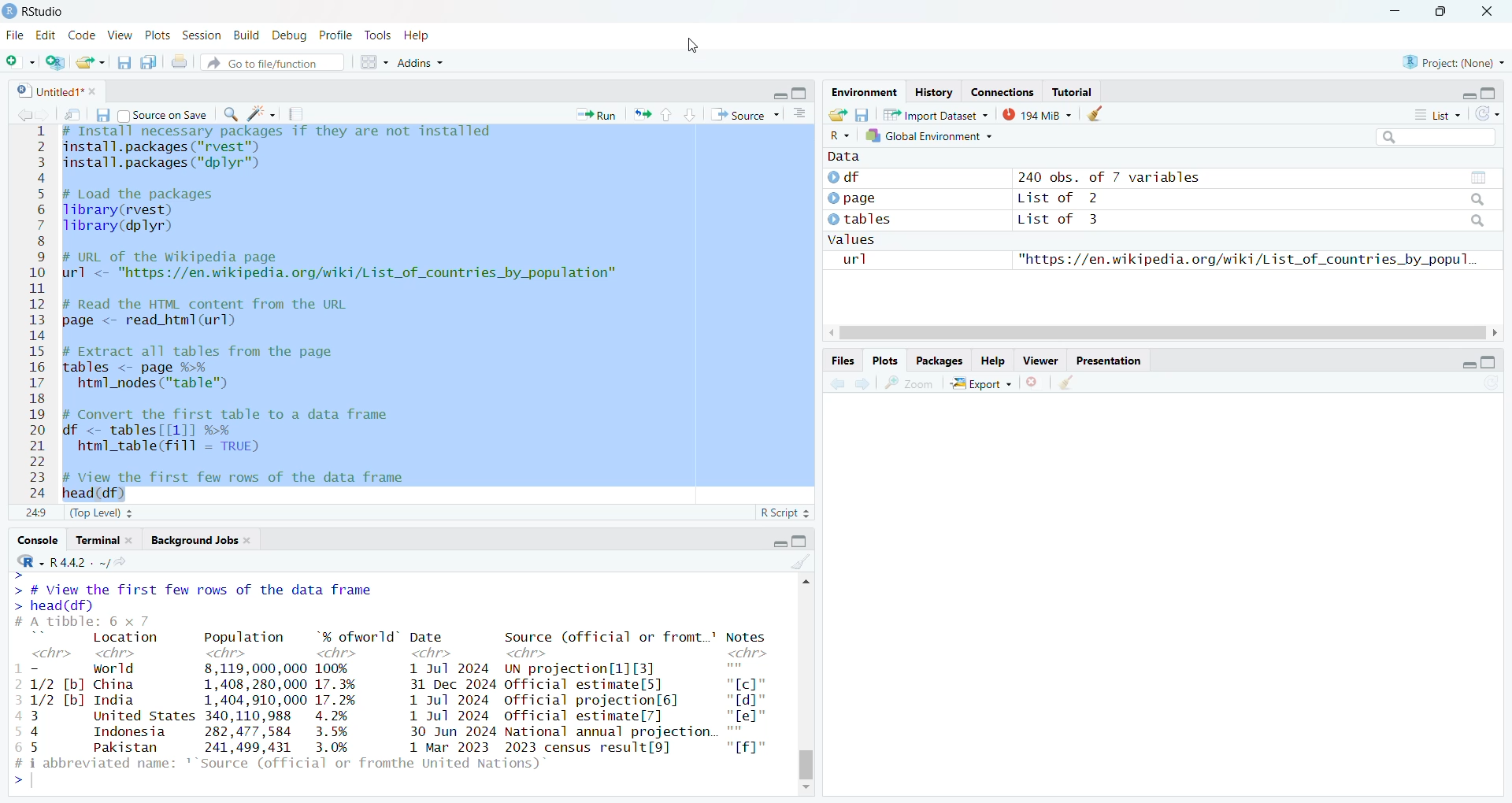 This screenshot has height=803, width=1512. I want to click on tables, so click(863, 219).